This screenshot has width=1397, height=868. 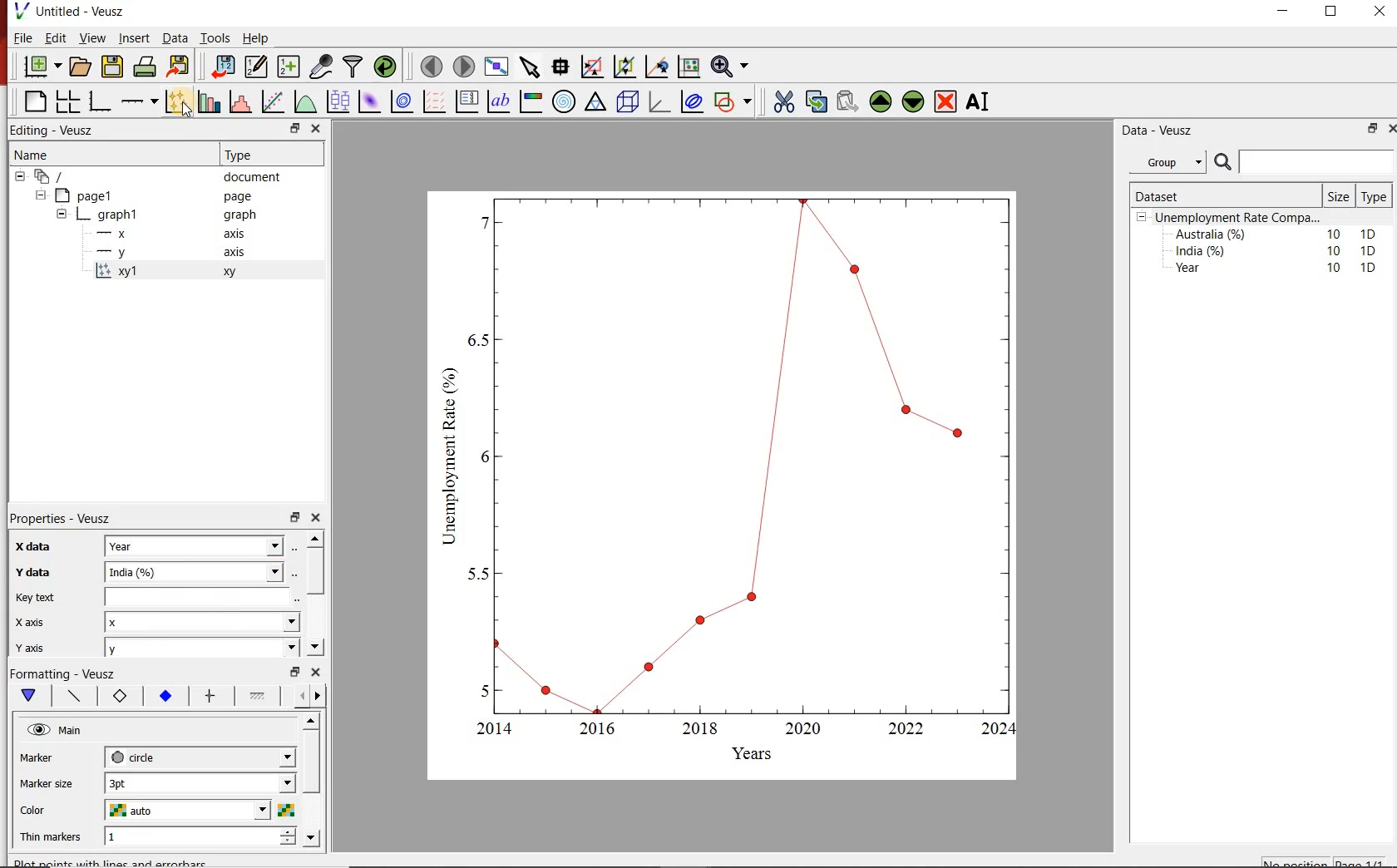 What do you see at coordinates (1173, 131) in the screenshot?
I see `Data - Veusz` at bounding box center [1173, 131].